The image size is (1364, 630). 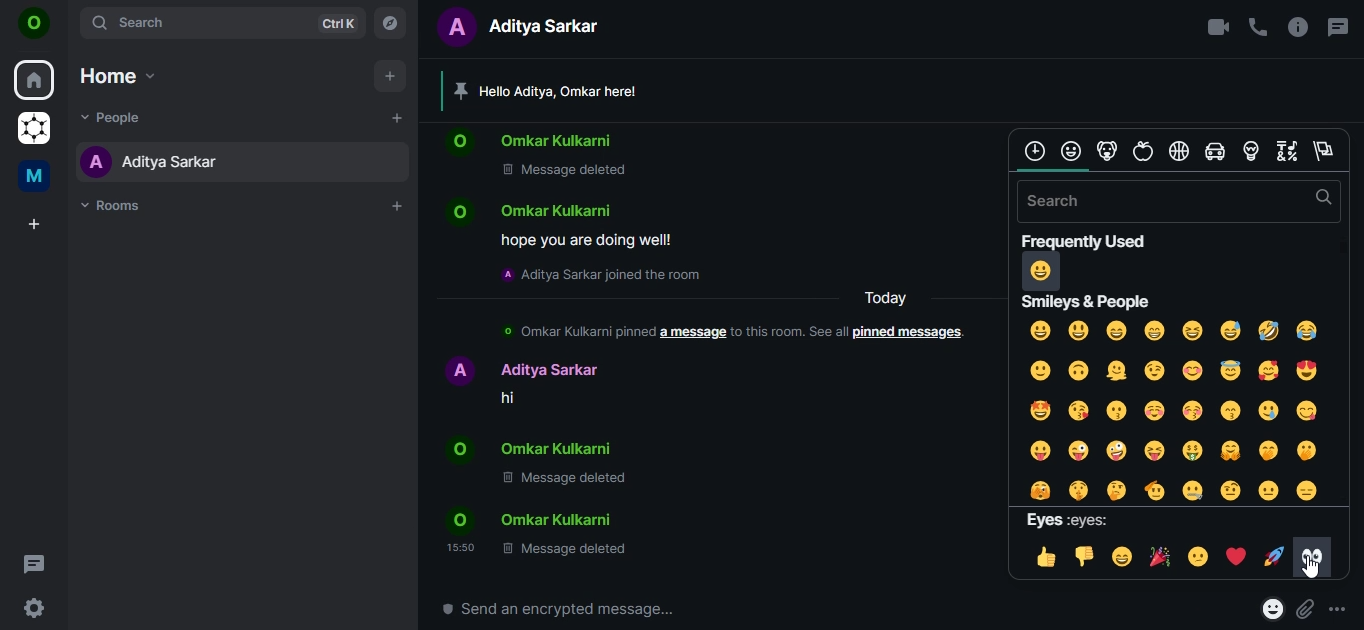 What do you see at coordinates (1269, 490) in the screenshot?
I see `neutral face` at bounding box center [1269, 490].